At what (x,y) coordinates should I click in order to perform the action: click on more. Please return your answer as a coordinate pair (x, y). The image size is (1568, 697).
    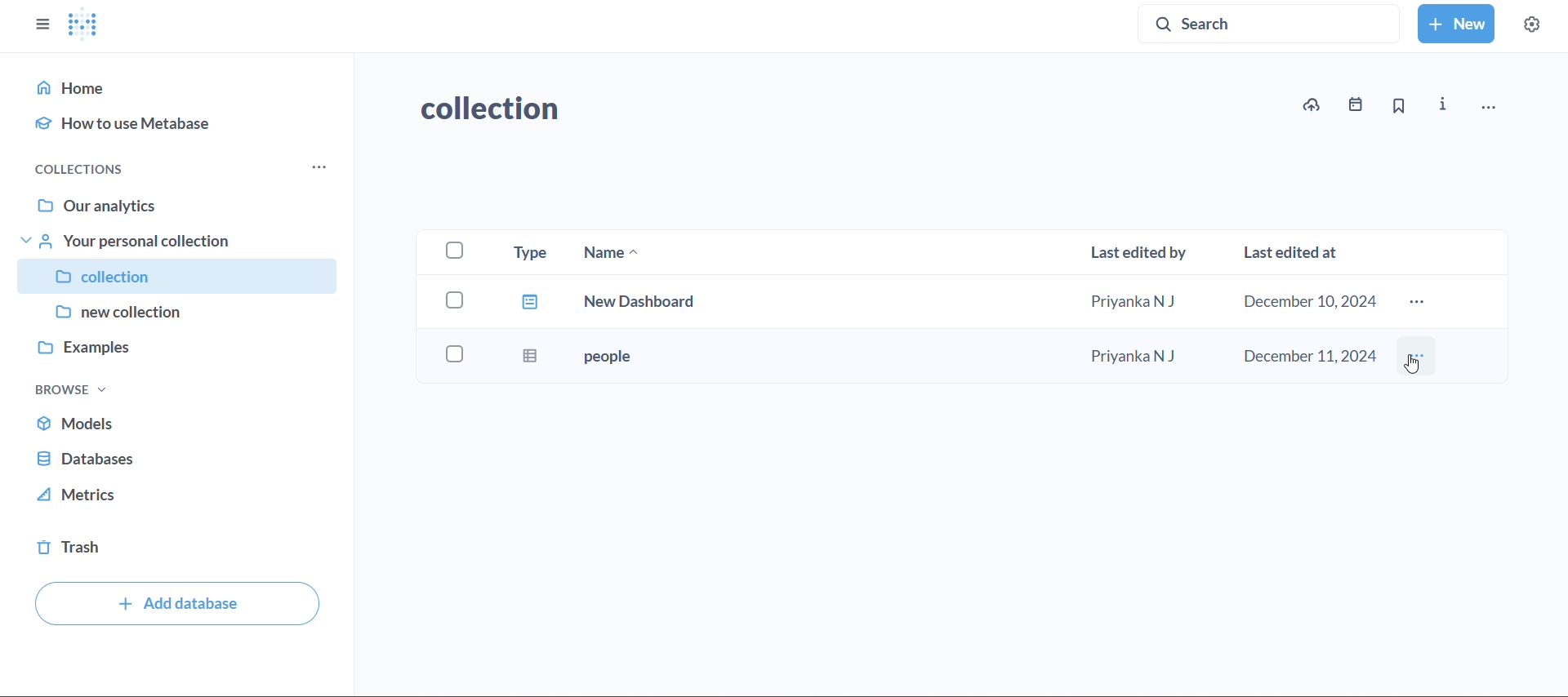
    Looking at the image, I should click on (1419, 358).